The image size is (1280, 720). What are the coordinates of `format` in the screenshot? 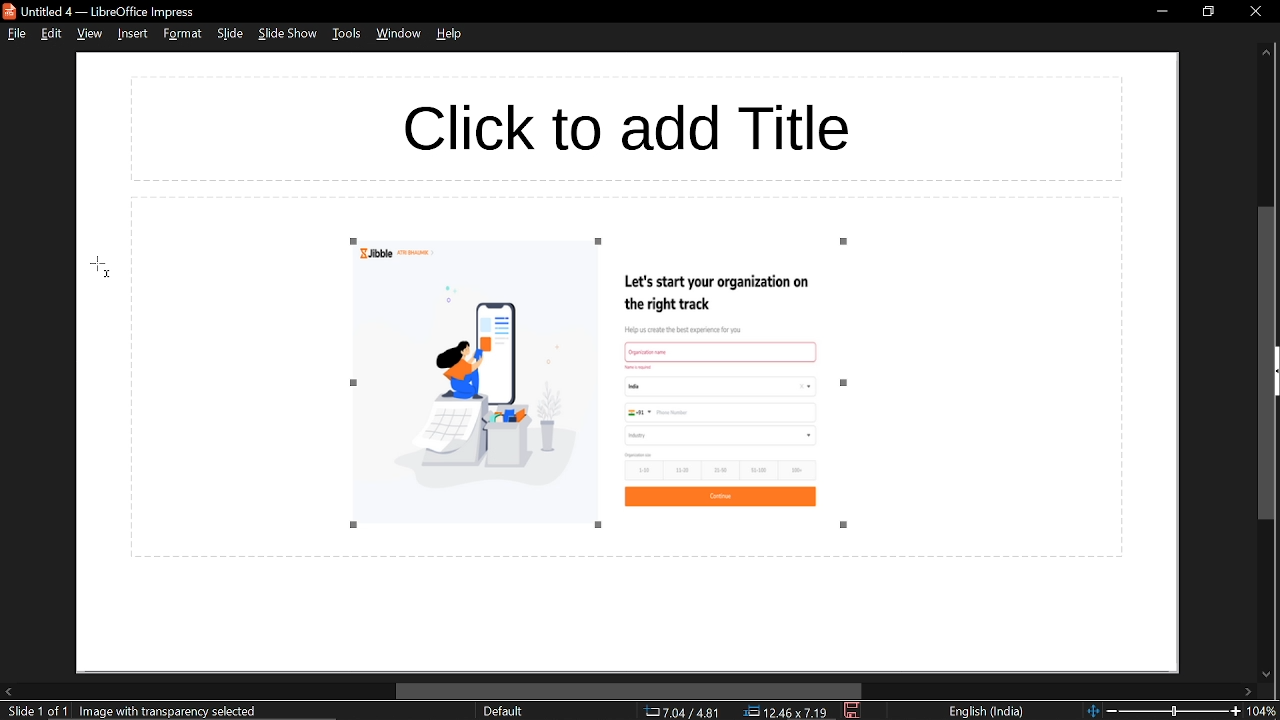 It's located at (182, 34).